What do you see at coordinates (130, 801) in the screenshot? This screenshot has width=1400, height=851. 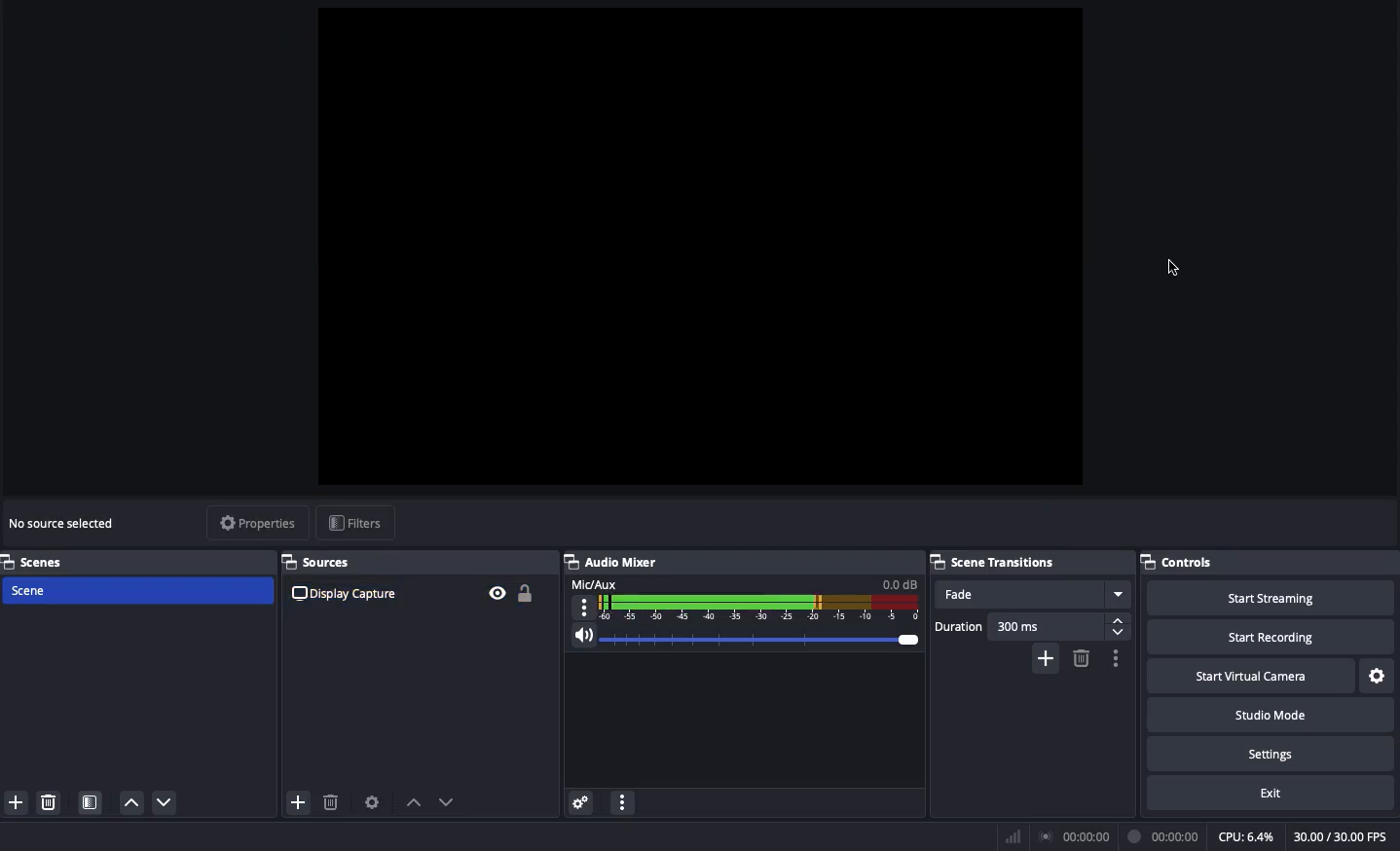 I see `Move up` at bounding box center [130, 801].